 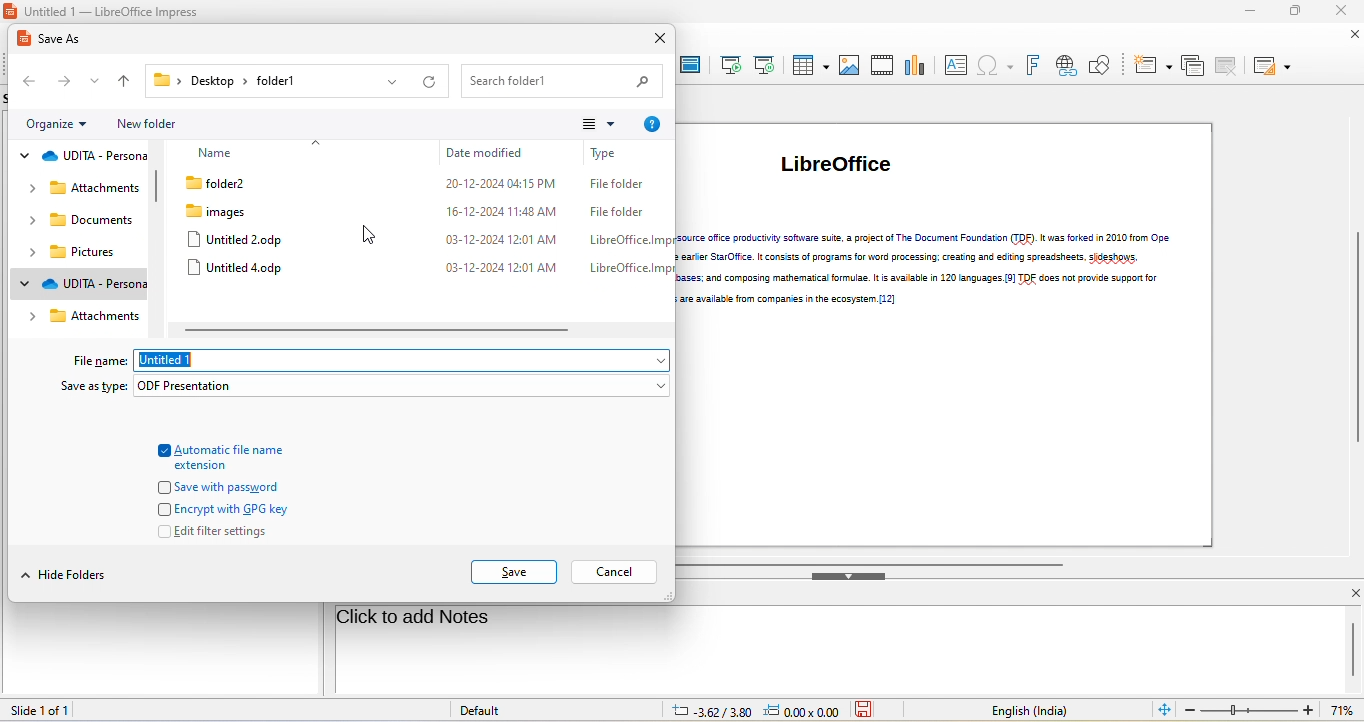 I want to click on vertical scroll bar, so click(x=1353, y=649).